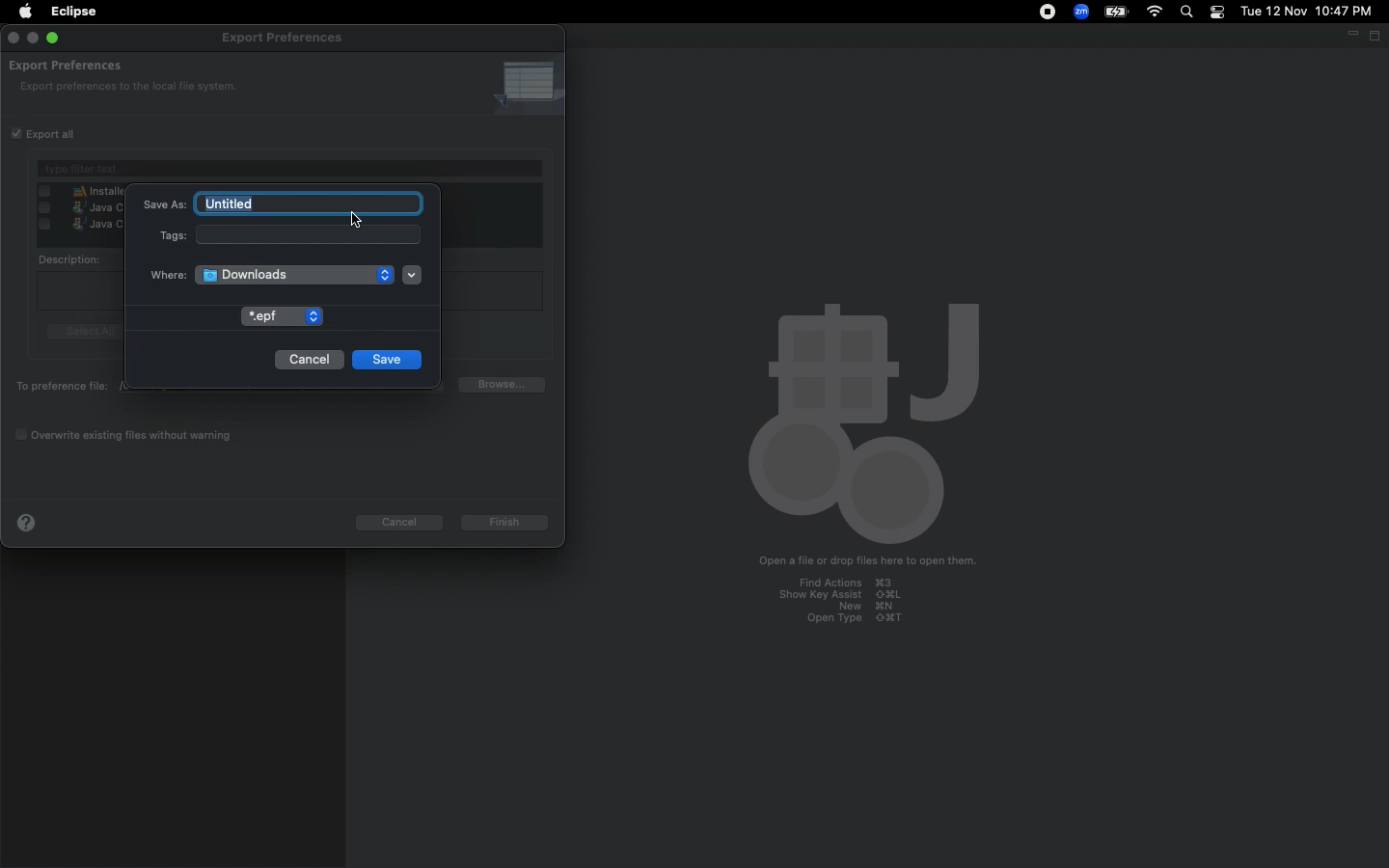 The height and width of the screenshot is (868, 1389). I want to click on Help, so click(31, 523).